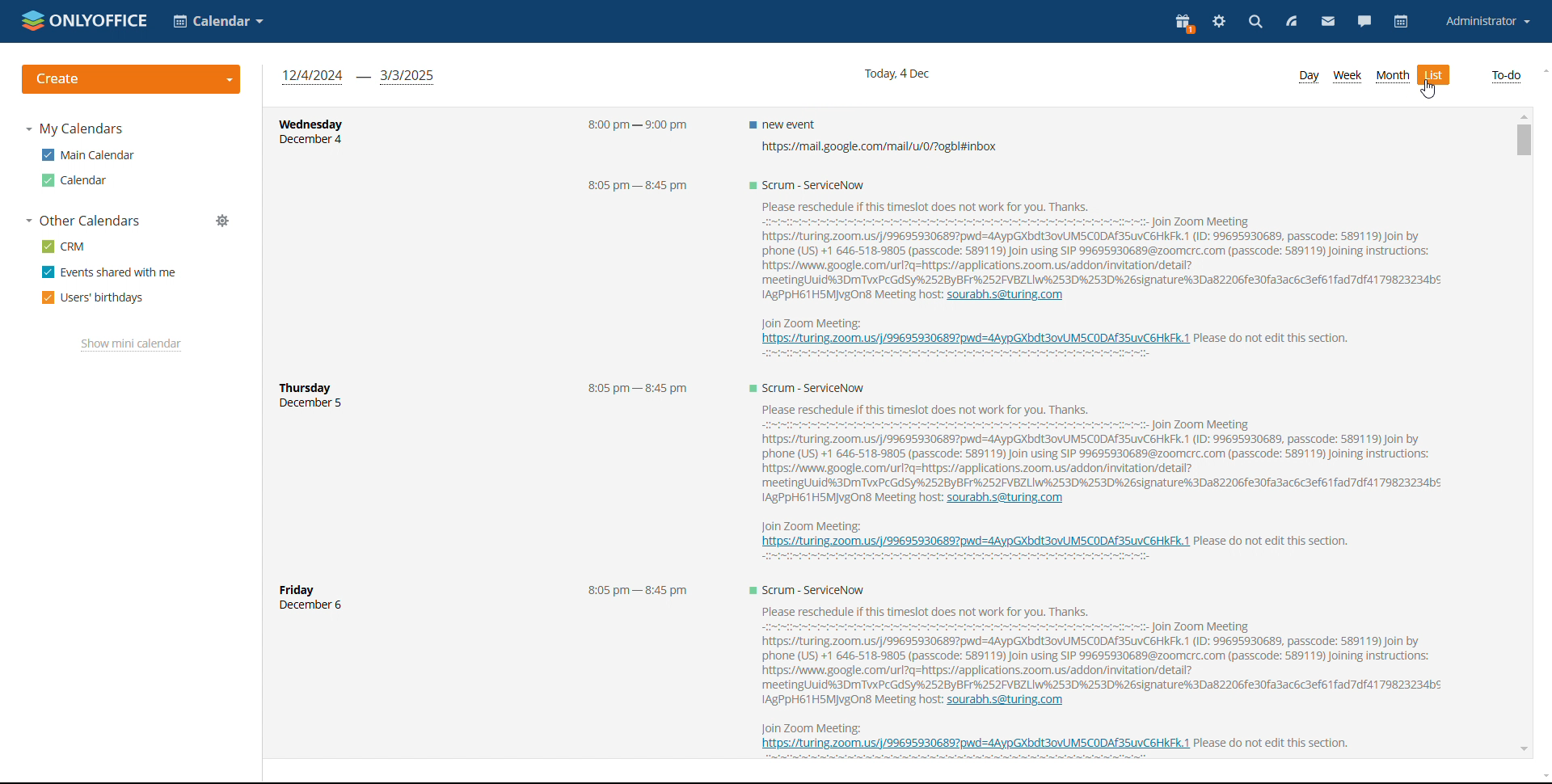  What do you see at coordinates (806, 524) in the screenshot?
I see `join Zoom Meeting:` at bounding box center [806, 524].